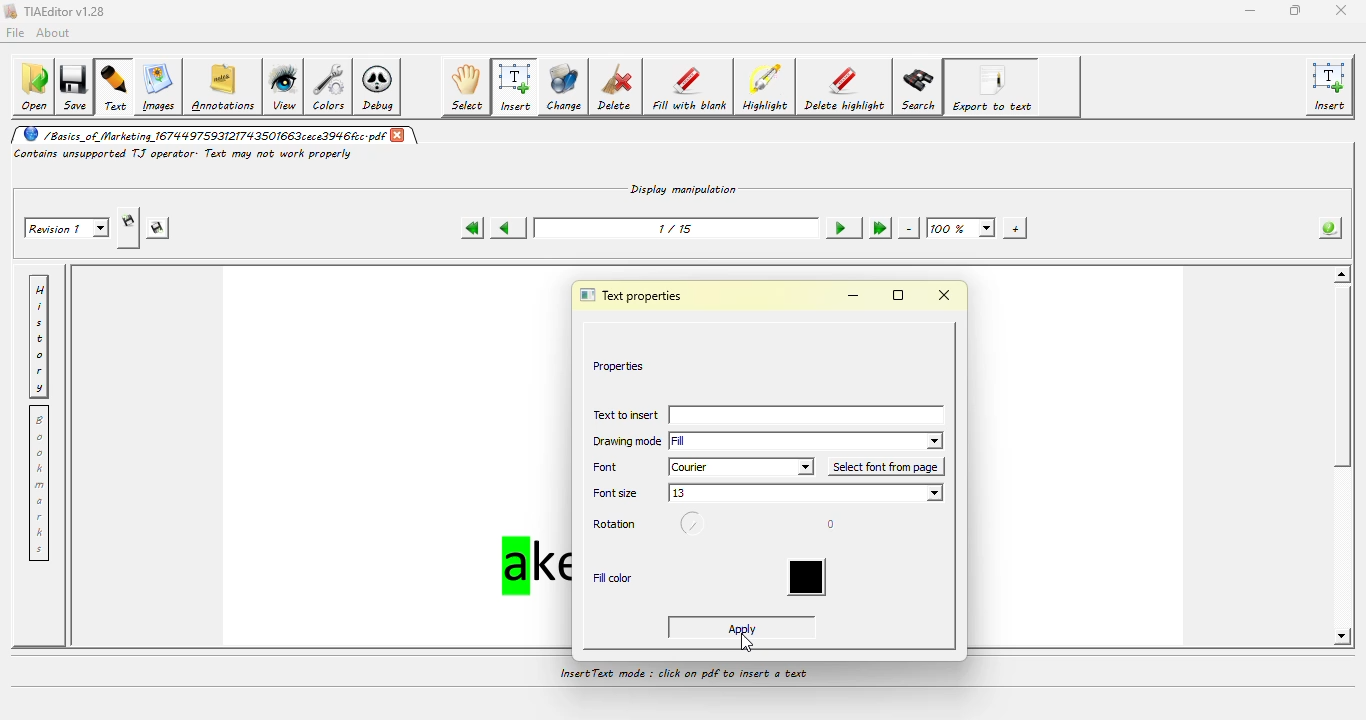  What do you see at coordinates (878, 227) in the screenshot?
I see `last page` at bounding box center [878, 227].